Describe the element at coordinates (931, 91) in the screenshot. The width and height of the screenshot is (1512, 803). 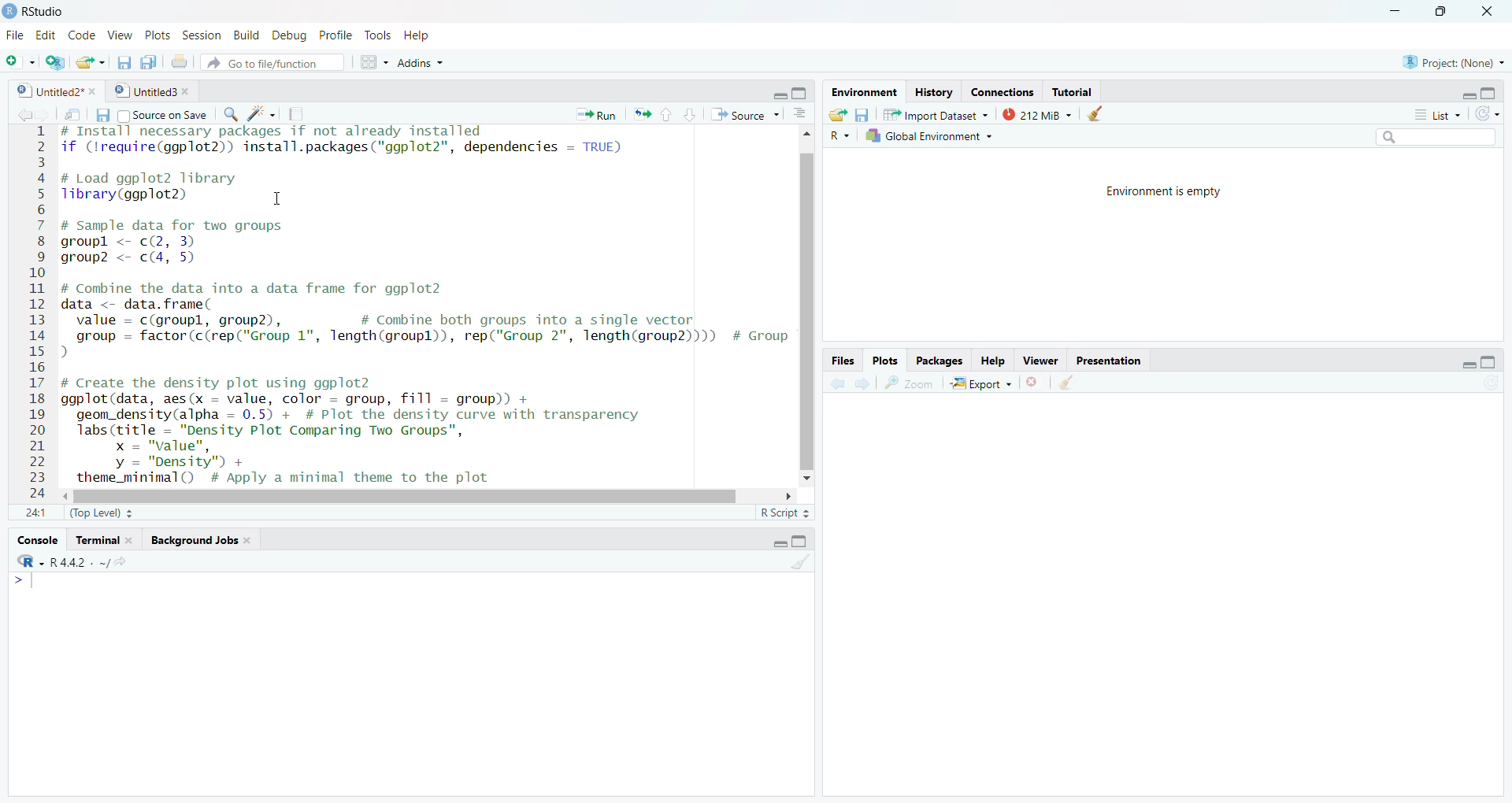
I see `history` at that location.